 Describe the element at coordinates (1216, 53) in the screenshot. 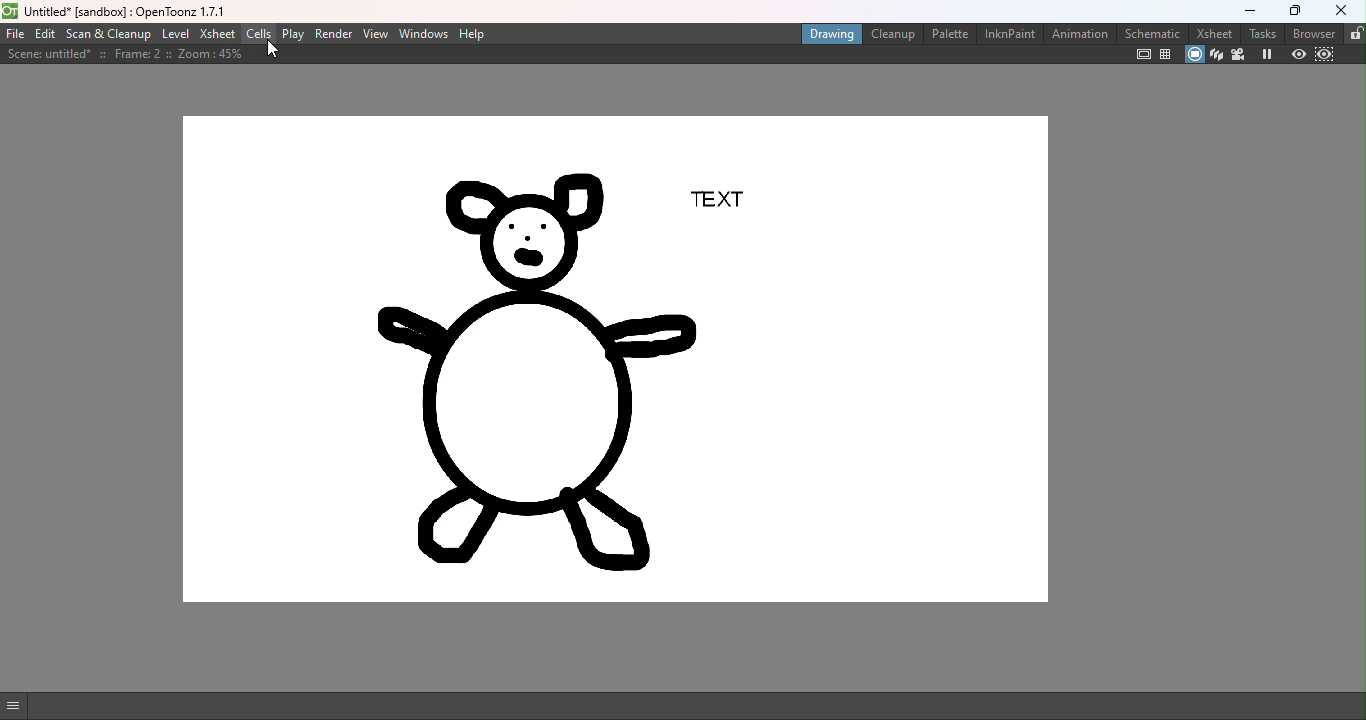

I see `3D view` at that location.